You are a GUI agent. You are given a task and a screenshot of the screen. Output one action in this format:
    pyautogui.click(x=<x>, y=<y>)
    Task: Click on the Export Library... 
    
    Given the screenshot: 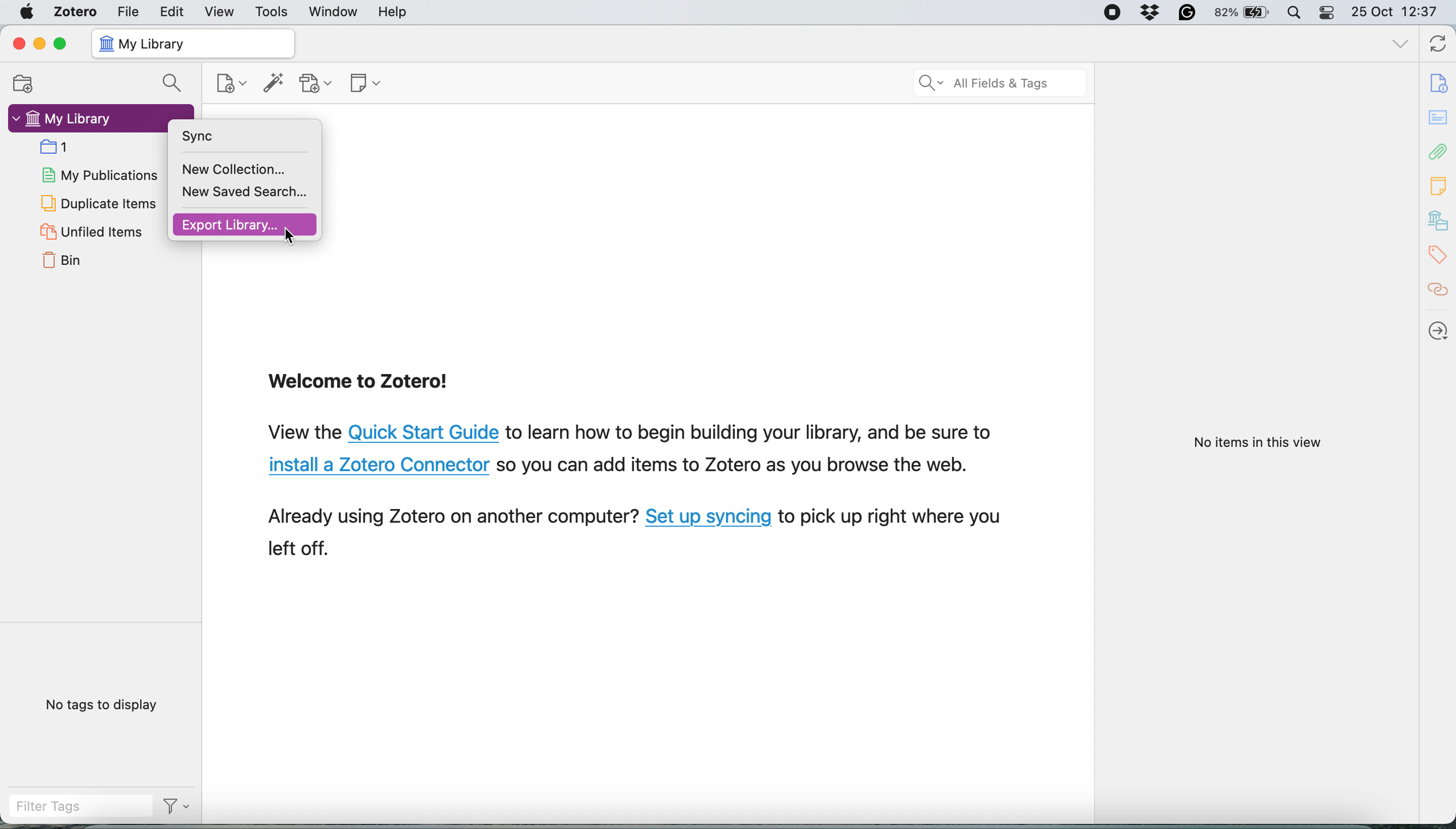 What is the action you would take?
    pyautogui.click(x=237, y=223)
    